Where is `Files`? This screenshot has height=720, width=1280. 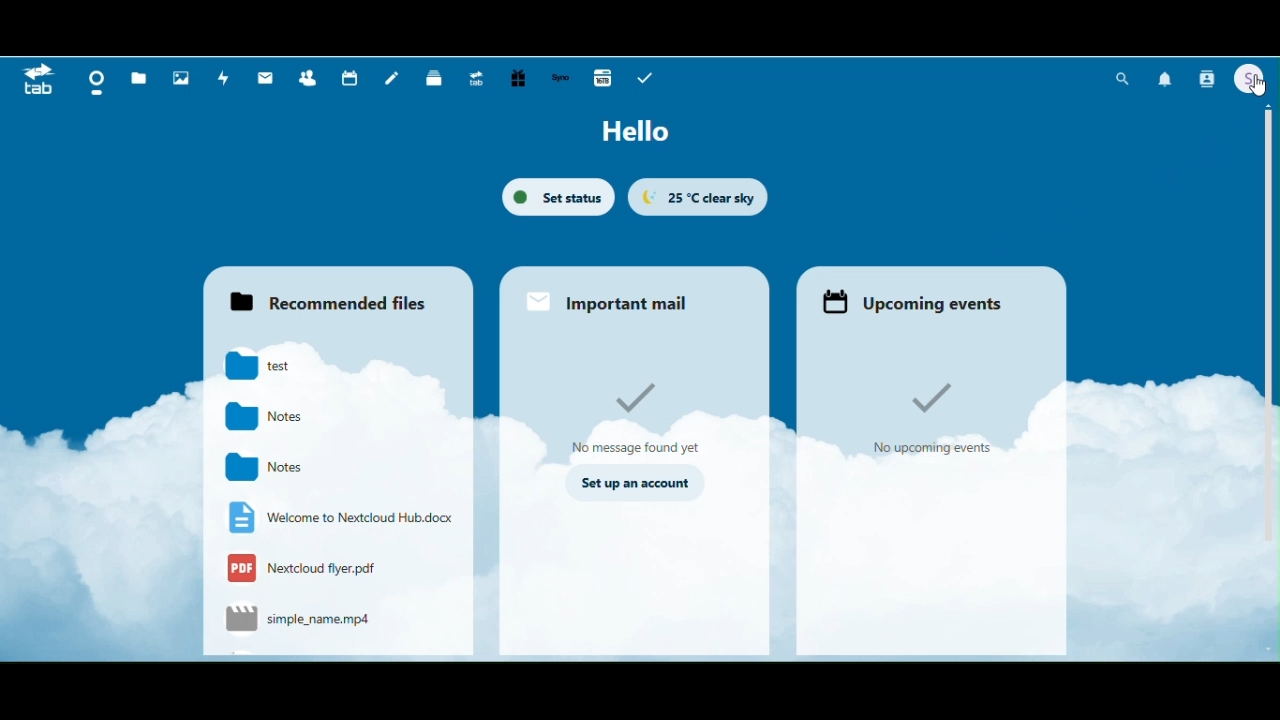 Files is located at coordinates (138, 77).